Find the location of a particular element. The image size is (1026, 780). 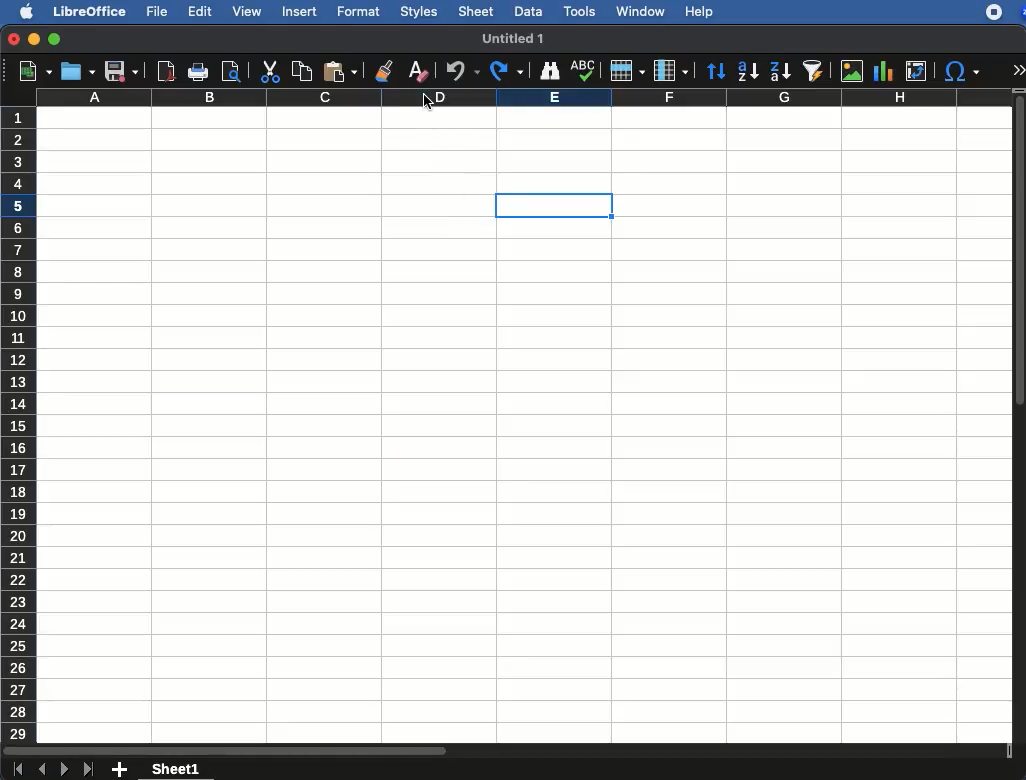

redo is located at coordinates (507, 71).